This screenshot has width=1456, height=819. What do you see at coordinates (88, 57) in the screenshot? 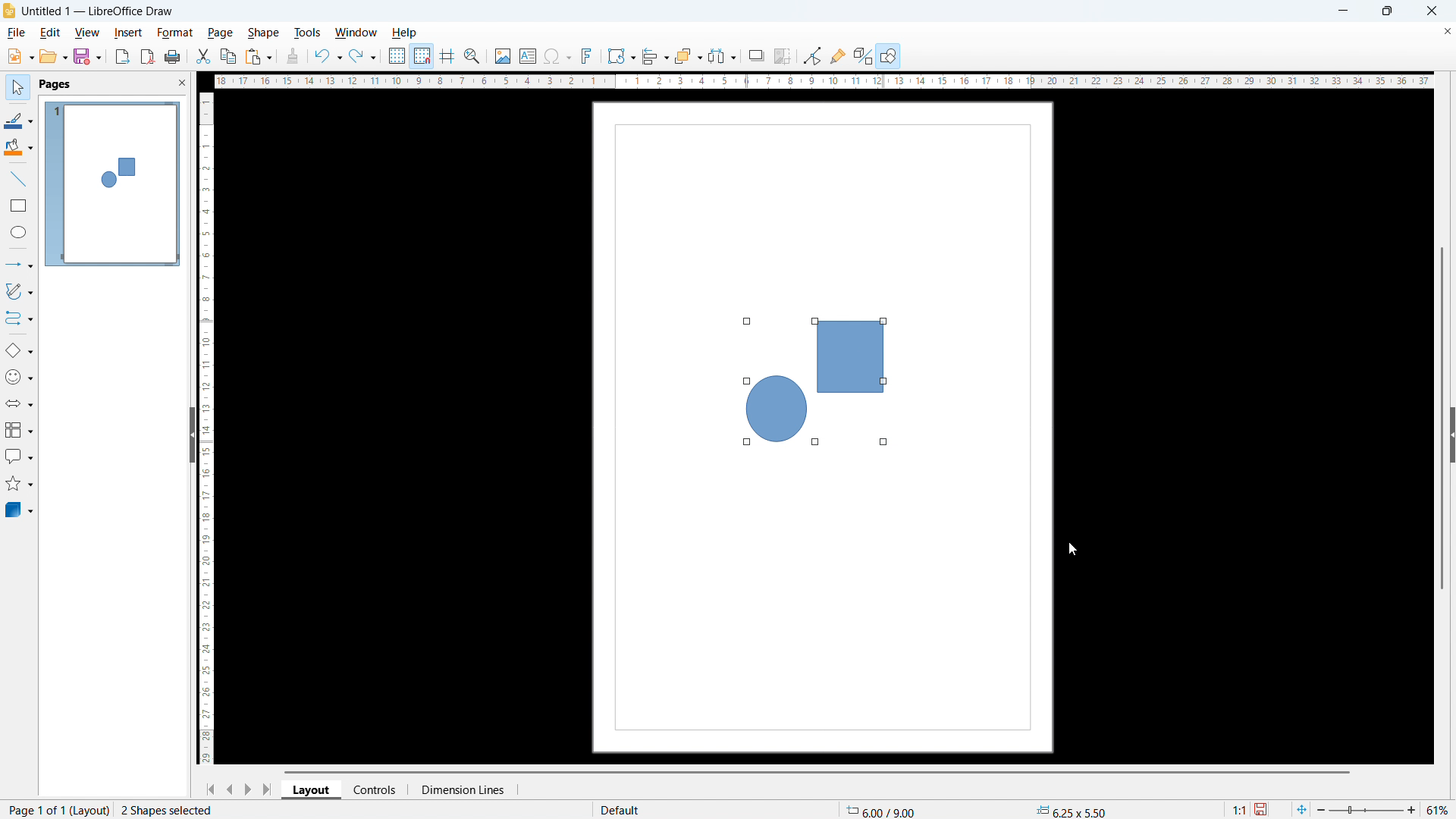
I see `save` at bounding box center [88, 57].